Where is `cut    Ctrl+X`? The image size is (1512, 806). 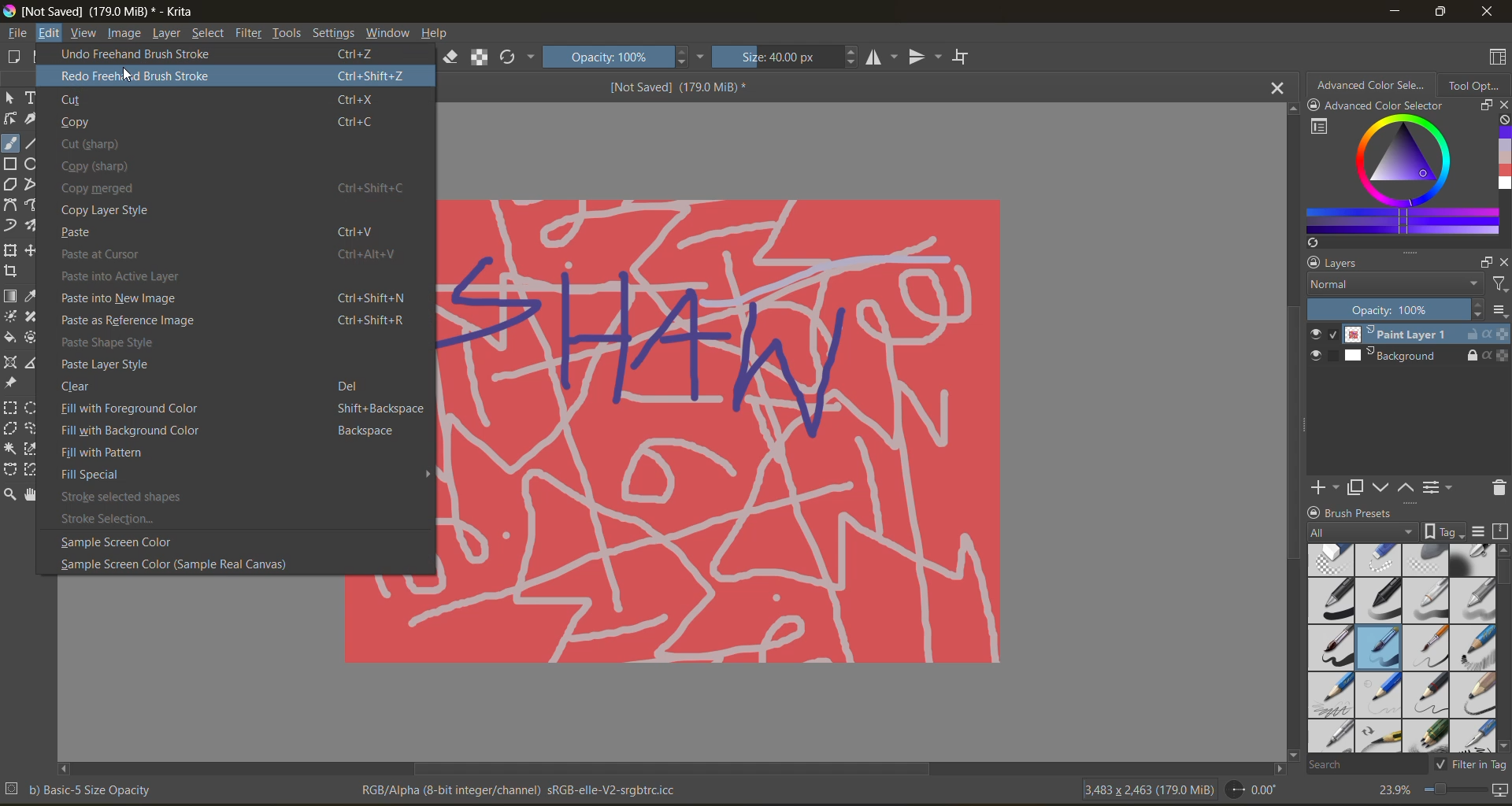
cut    Ctrl+X is located at coordinates (226, 98).